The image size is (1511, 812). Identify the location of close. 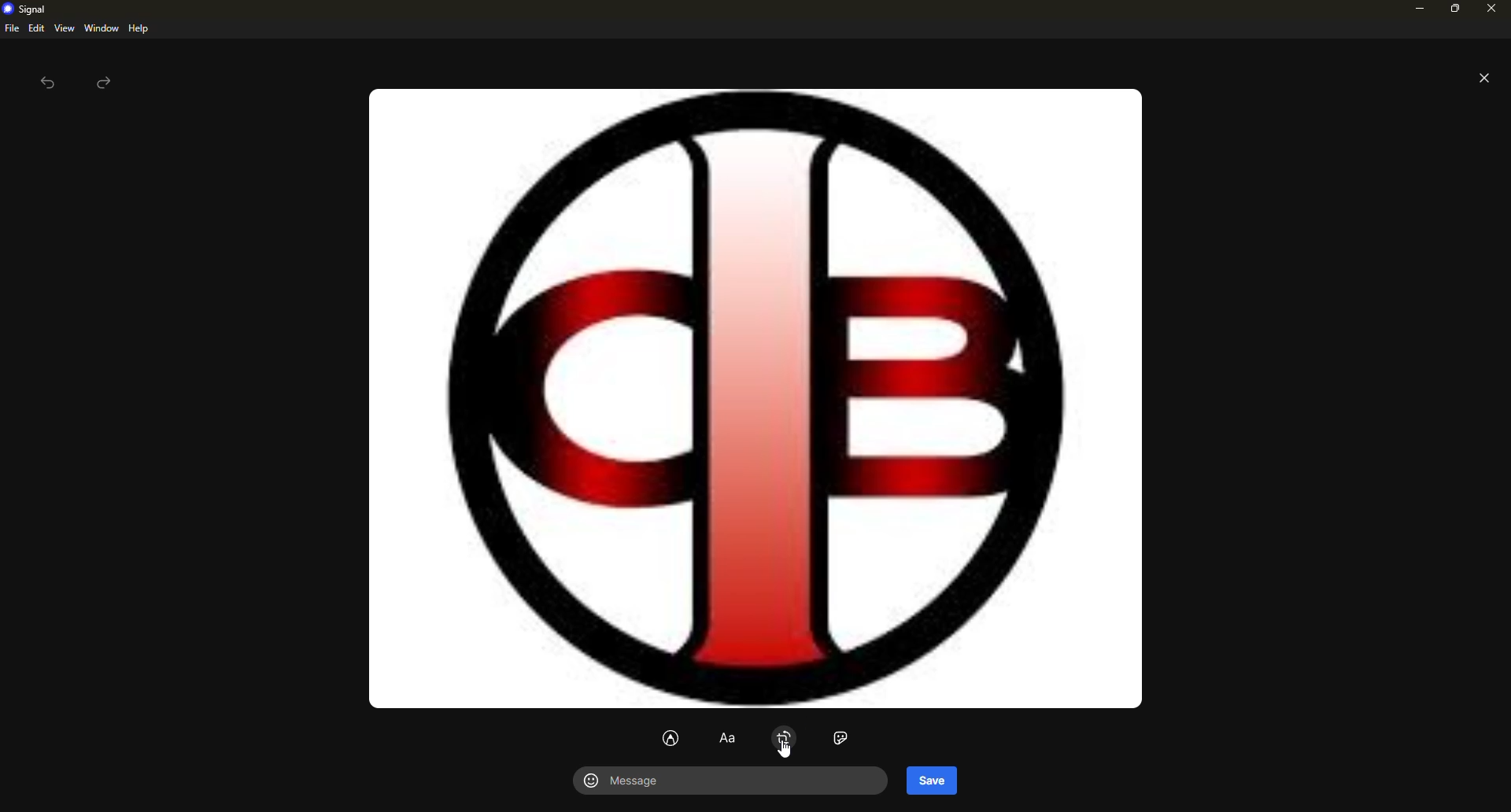
(1492, 10).